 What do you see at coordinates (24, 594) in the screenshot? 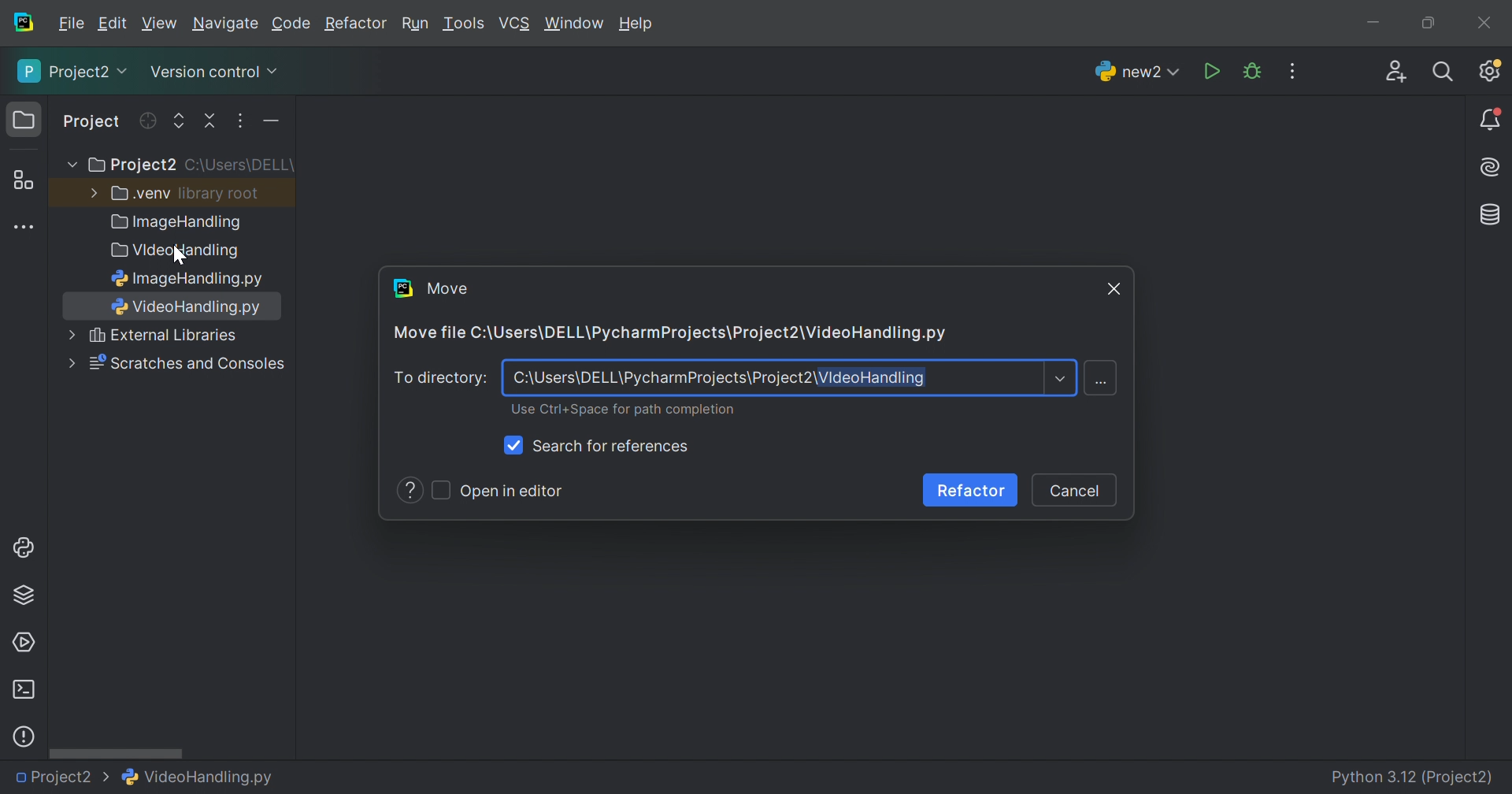
I see `Python packages` at bounding box center [24, 594].